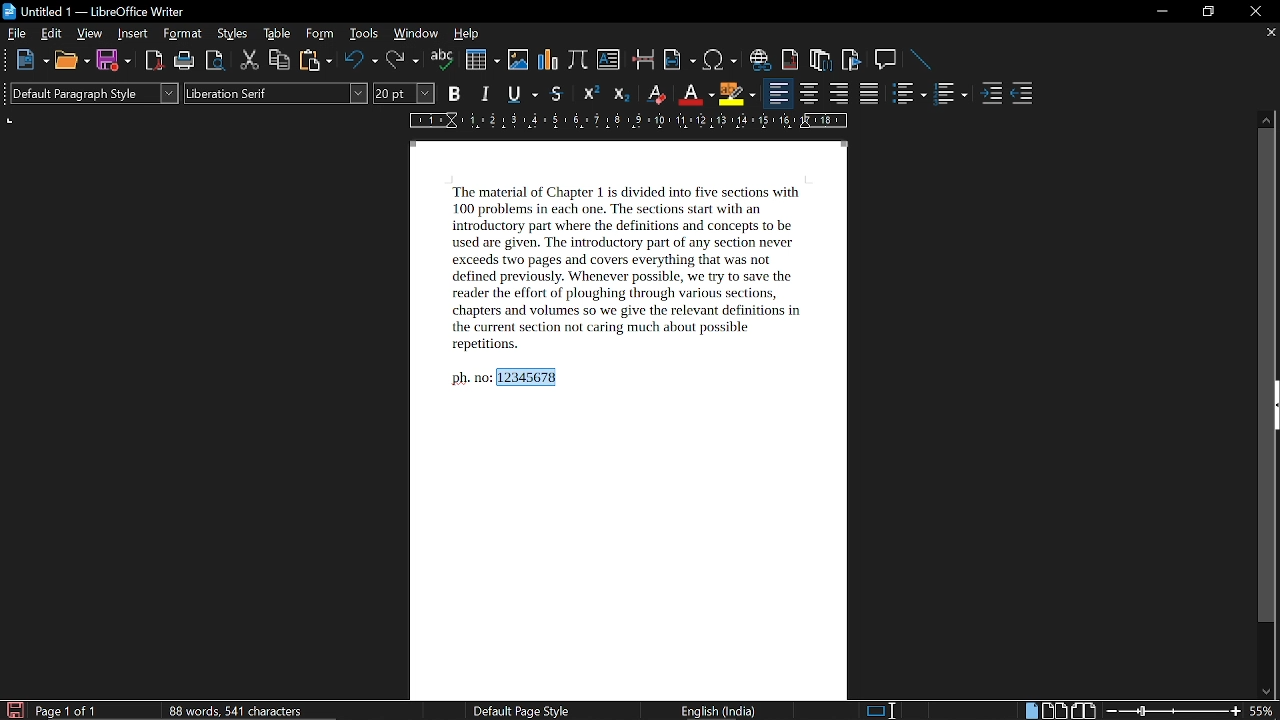 The height and width of the screenshot is (720, 1280). What do you see at coordinates (401, 61) in the screenshot?
I see `redo` at bounding box center [401, 61].